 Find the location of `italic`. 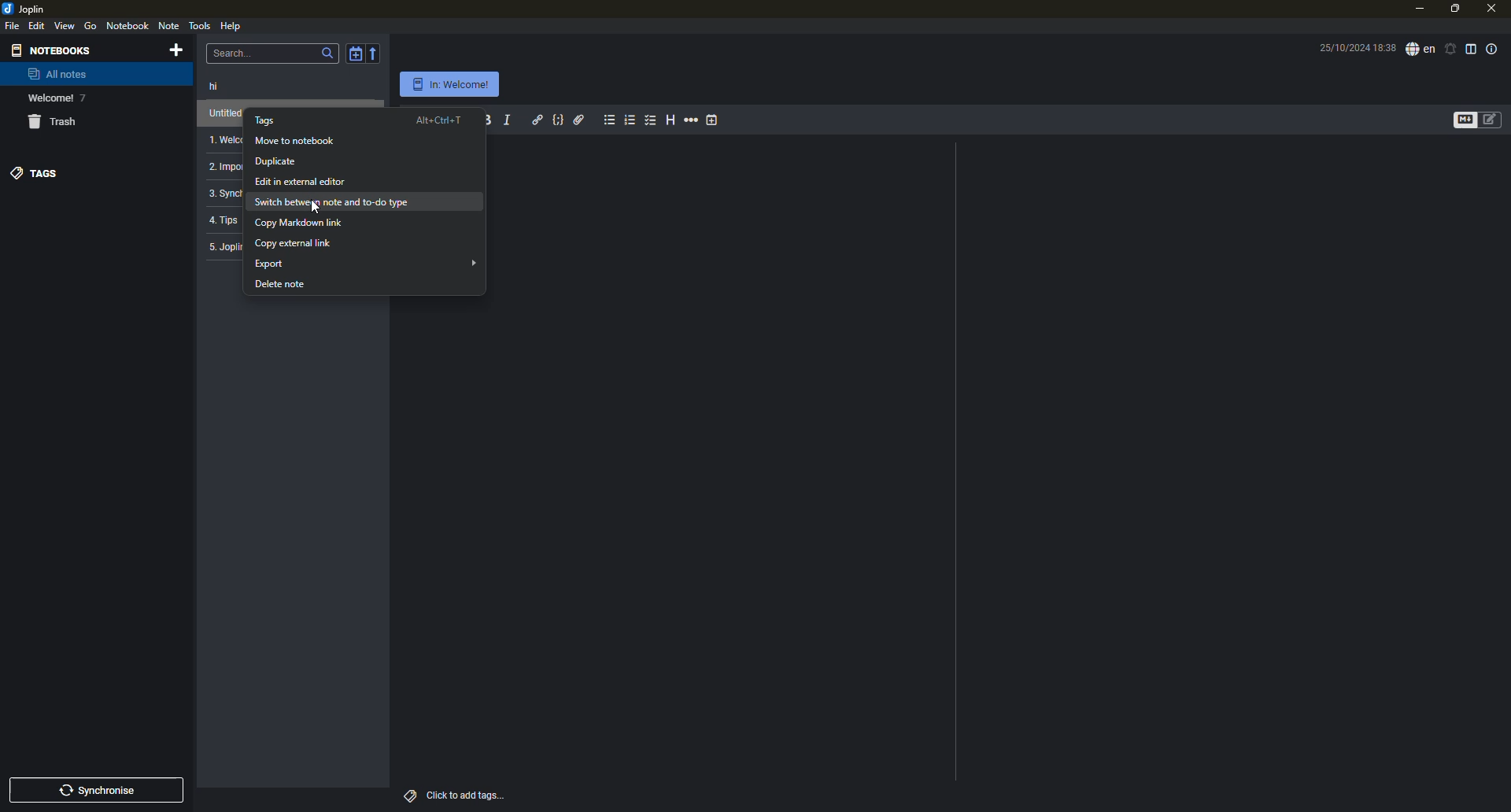

italic is located at coordinates (508, 120).